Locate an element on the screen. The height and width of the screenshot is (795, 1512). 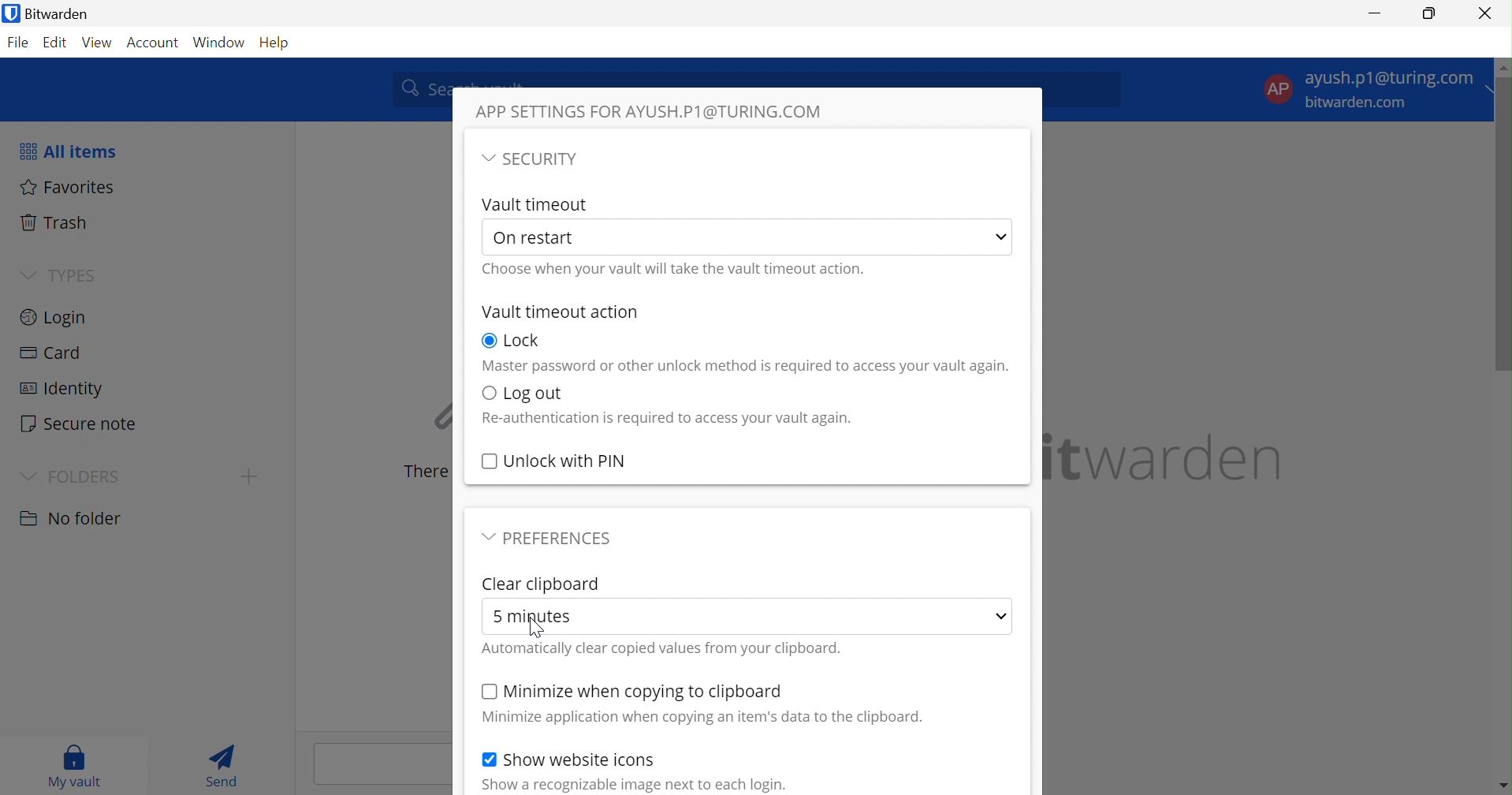
Trash is located at coordinates (58, 222).